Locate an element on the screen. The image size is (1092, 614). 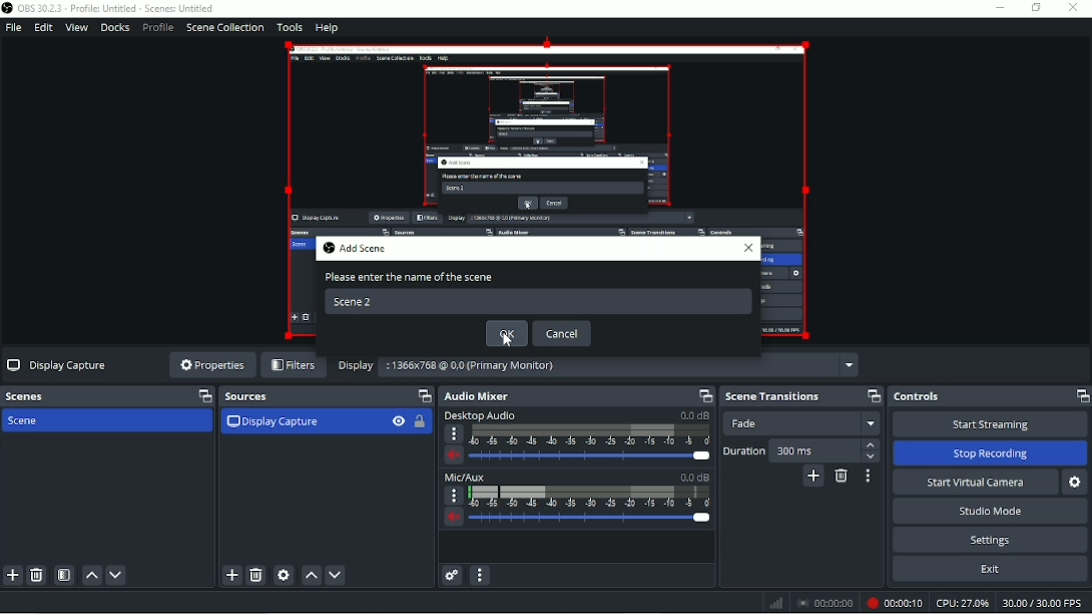
Add scene is located at coordinates (12, 576).